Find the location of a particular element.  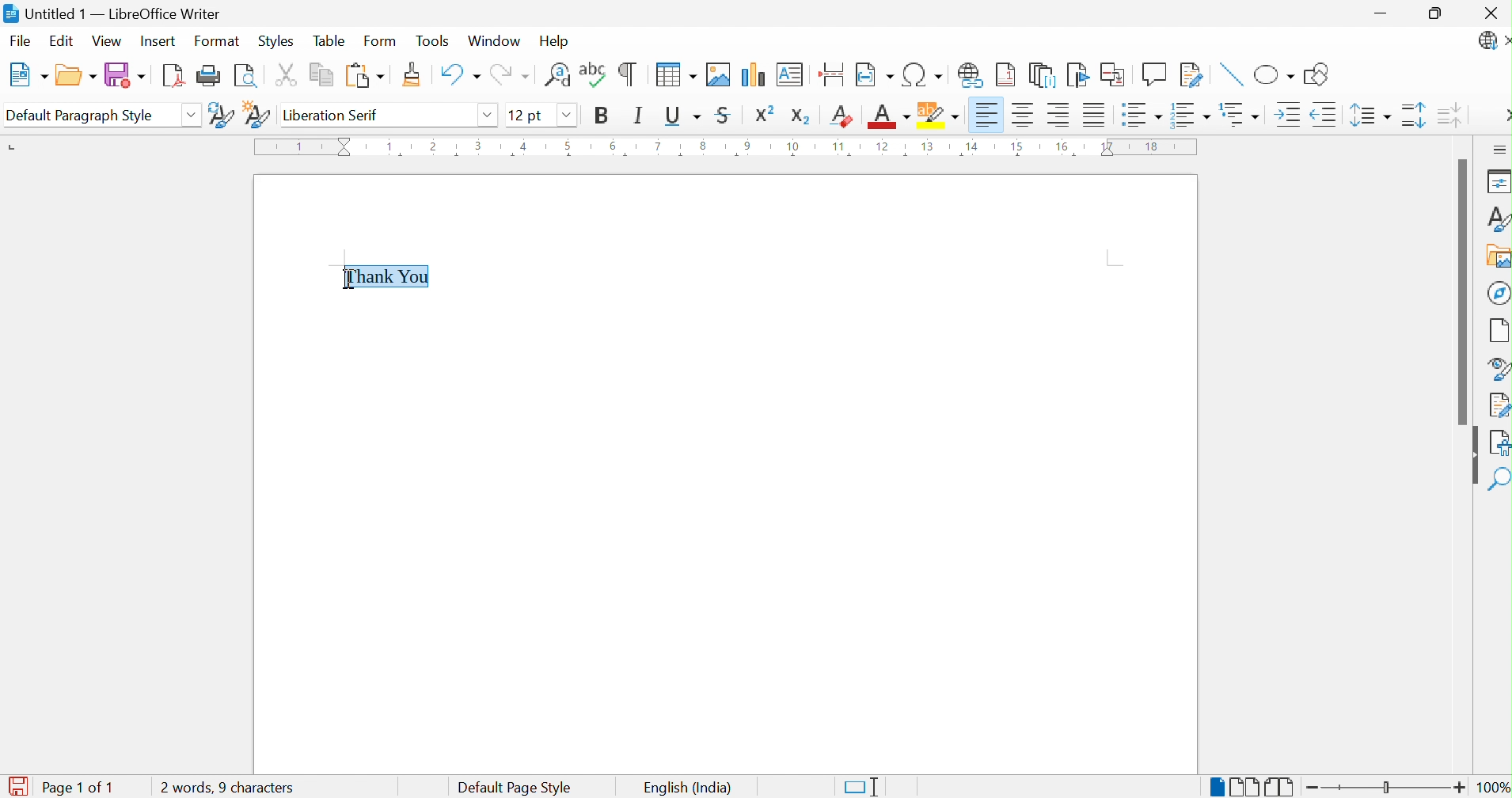

Align Left is located at coordinates (986, 114).